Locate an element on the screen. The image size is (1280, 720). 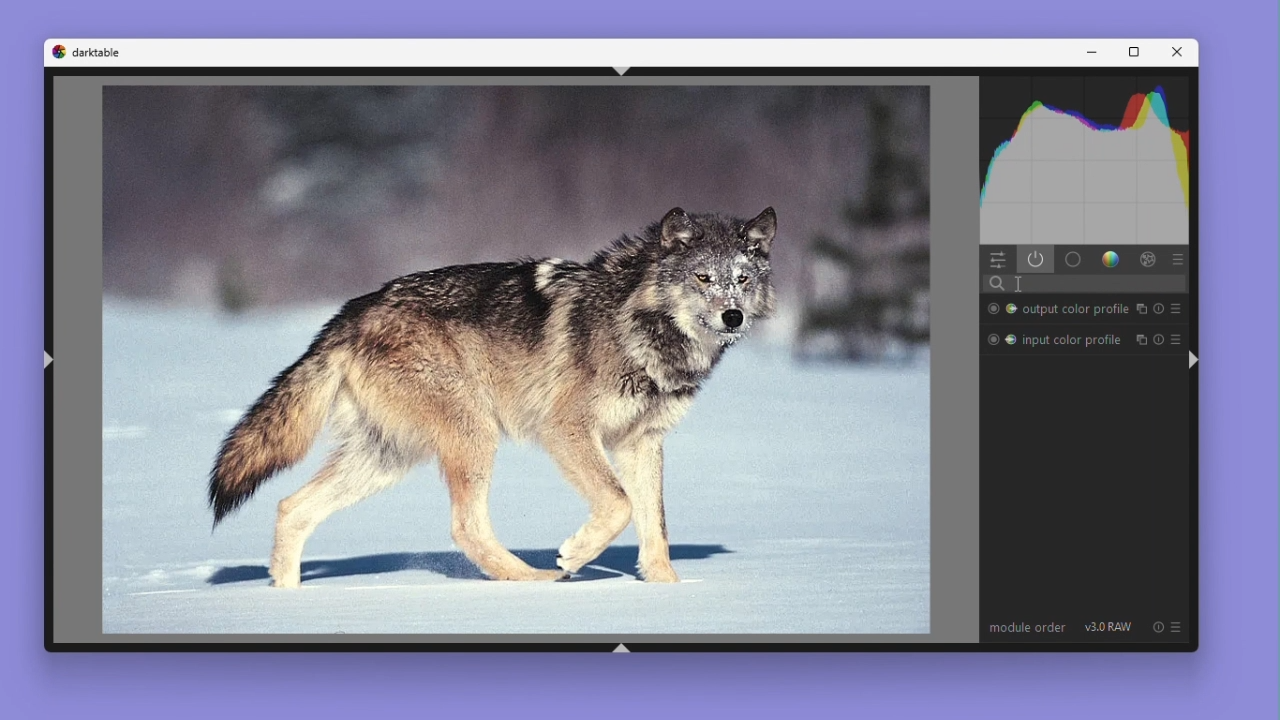
Input colour profile is located at coordinates (1053, 338).